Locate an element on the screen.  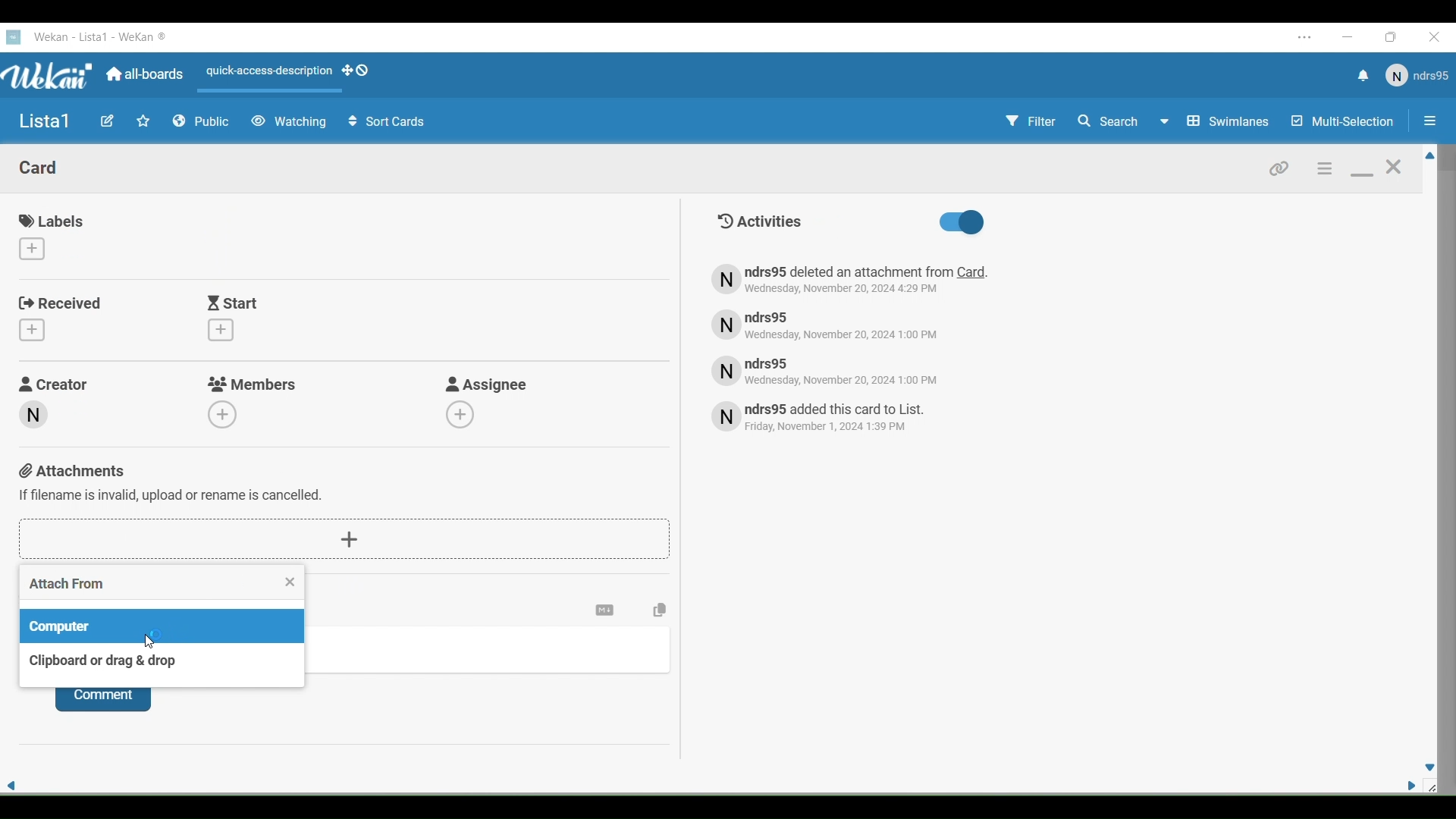
Link is located at coordinates (1279, 167).